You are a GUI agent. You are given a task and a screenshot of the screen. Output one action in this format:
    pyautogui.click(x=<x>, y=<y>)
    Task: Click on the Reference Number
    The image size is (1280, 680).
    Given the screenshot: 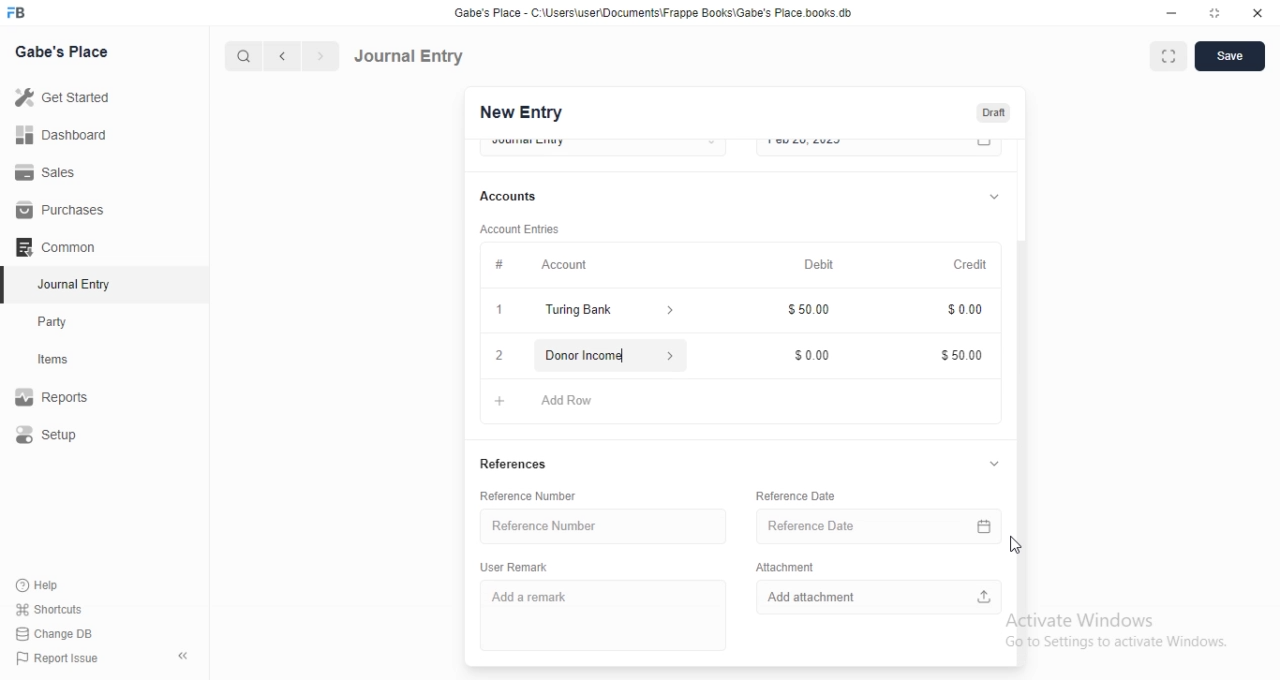 What is the action you would take?
    pyautogui.click(x=597, y=525)
    